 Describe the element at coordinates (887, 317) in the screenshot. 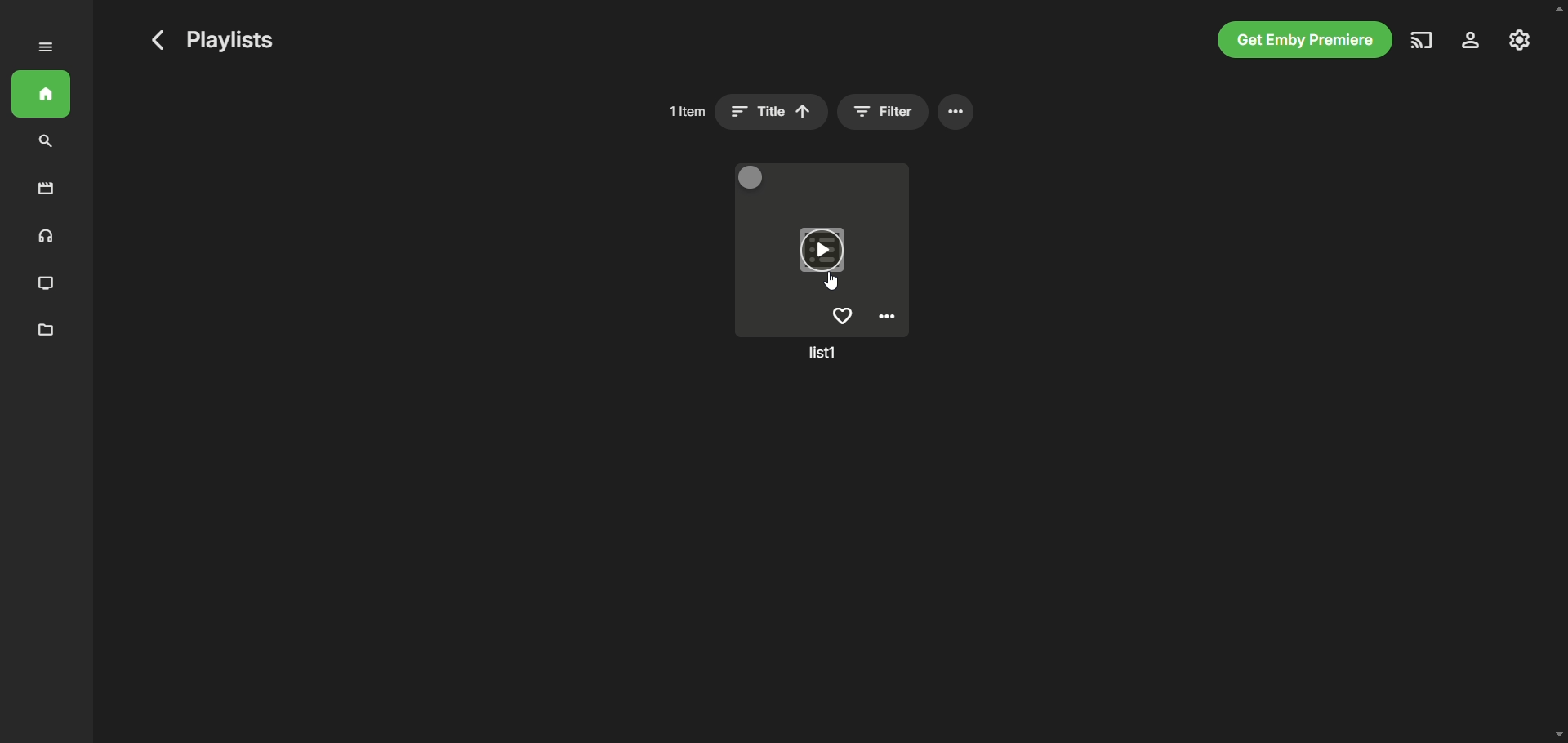

I see `Settings` at that location.